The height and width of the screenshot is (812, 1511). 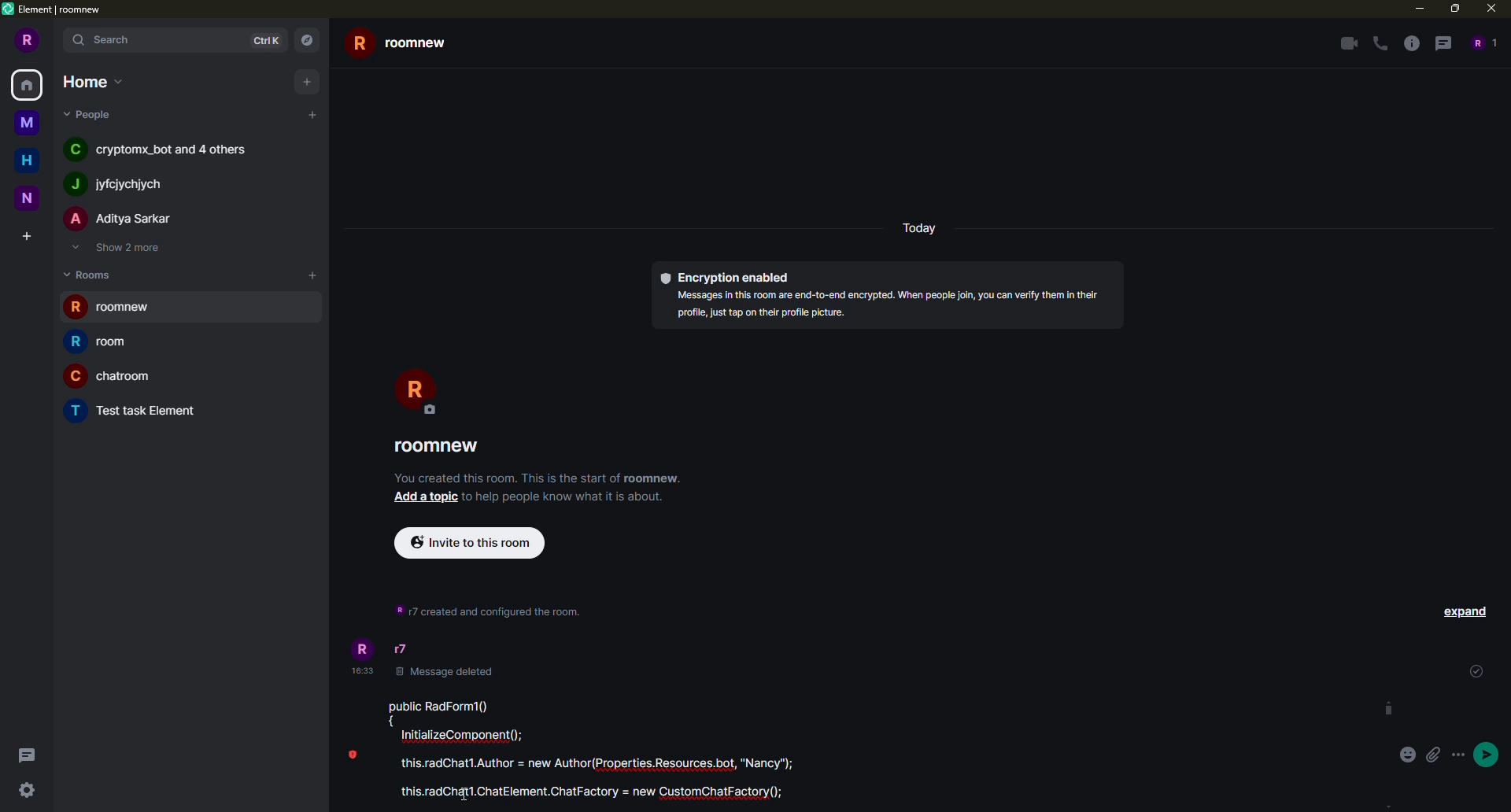 What do you see at coordinates (463, 792) in the screenshot?
I see `cursor` at bounding box center [463, 792].